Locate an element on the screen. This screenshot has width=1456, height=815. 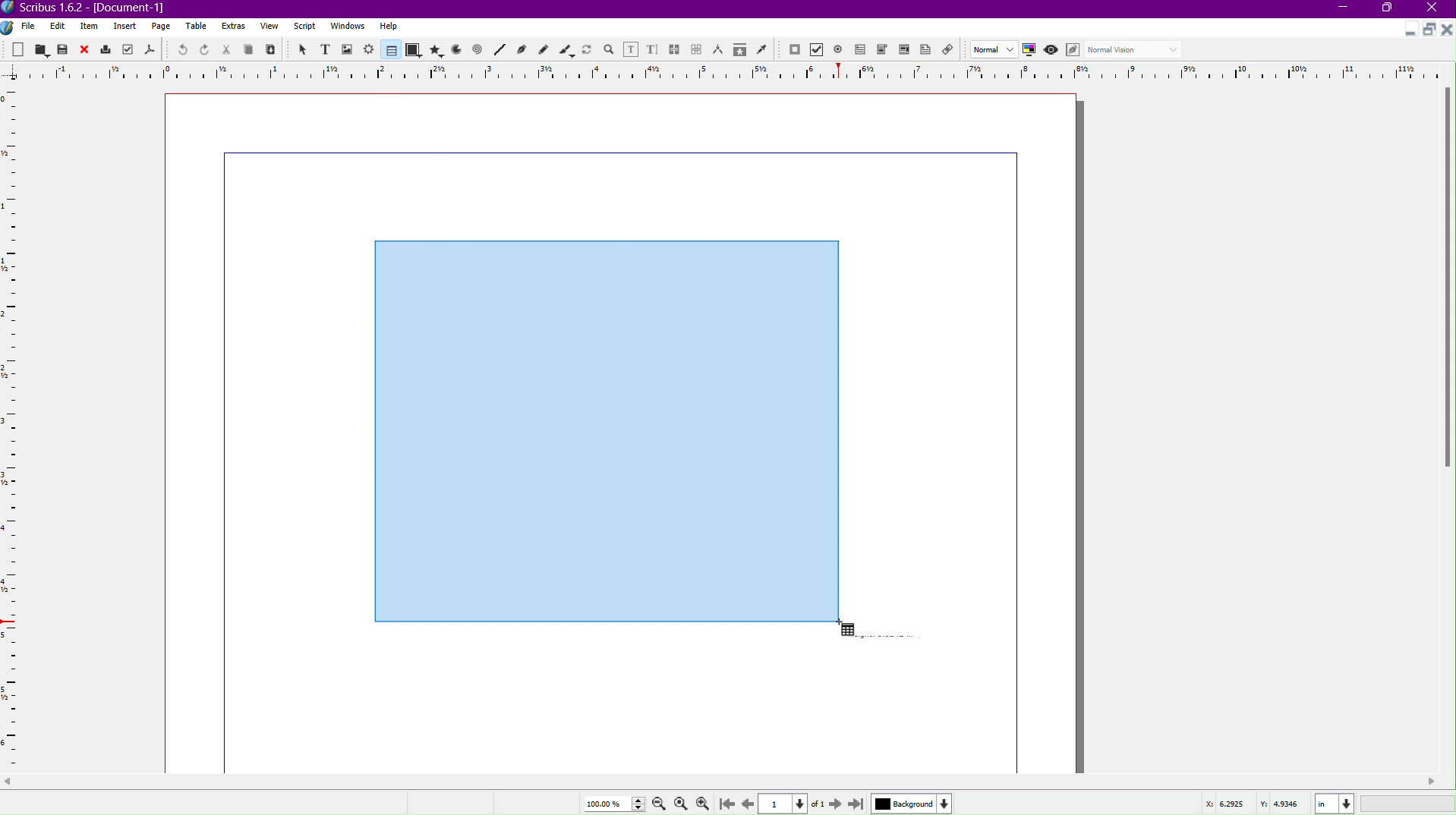
Help is located at coordinates (389, 26).